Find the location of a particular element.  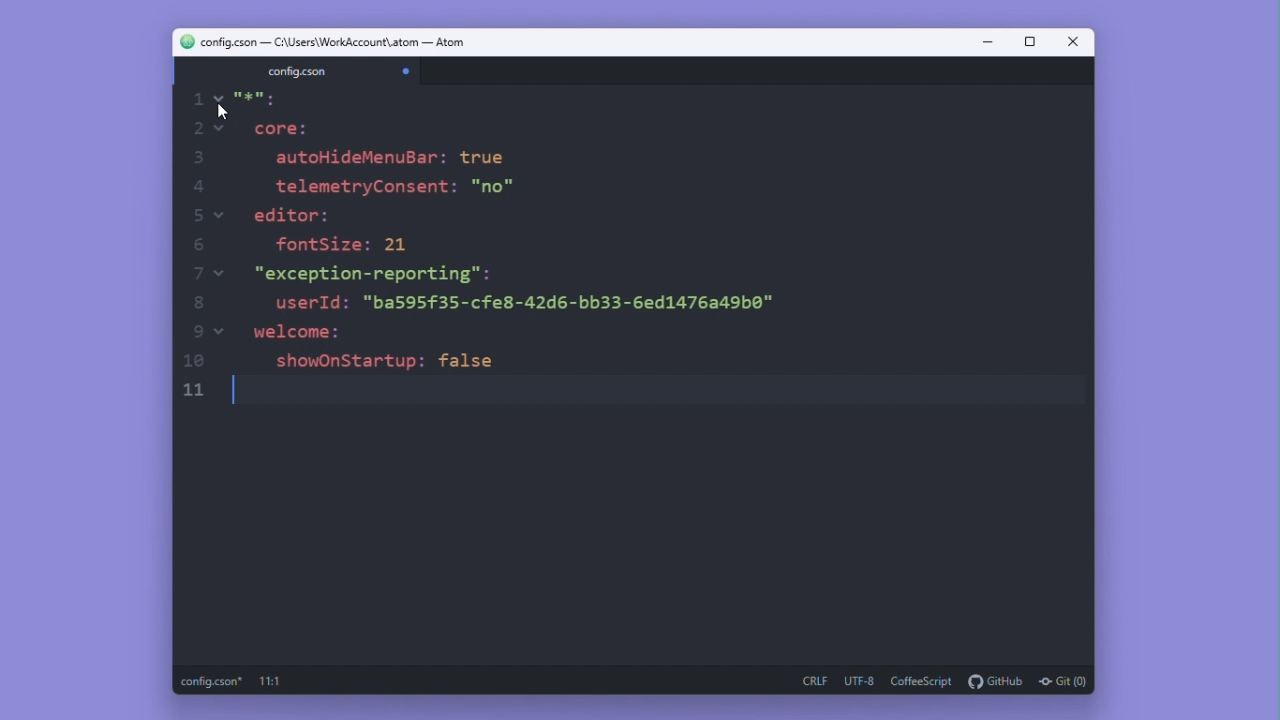

close is located at coordinates (1074, 43).